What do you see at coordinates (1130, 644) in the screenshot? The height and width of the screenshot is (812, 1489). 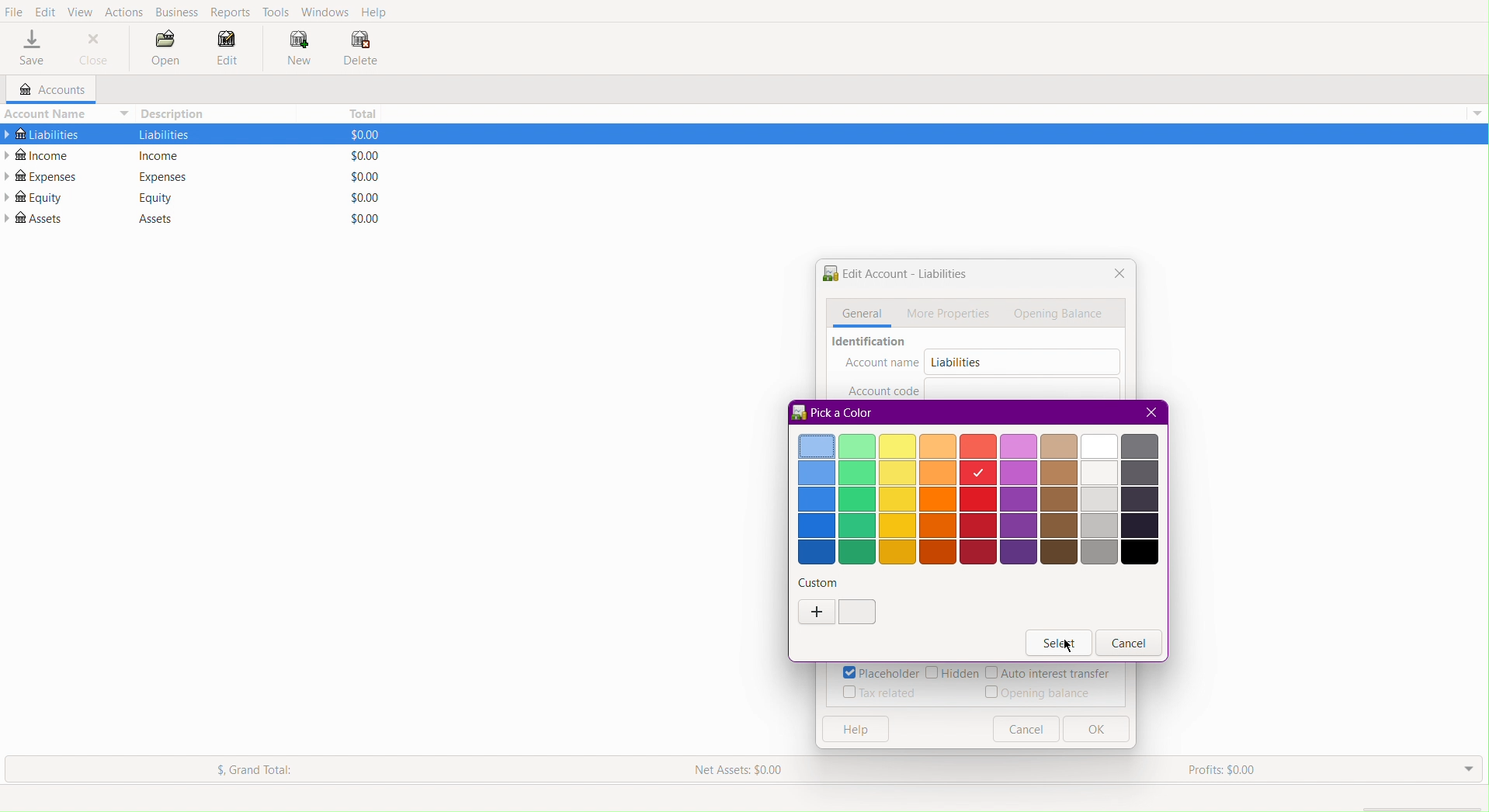 I see `Cancel` at bounding box center [1130, 644].